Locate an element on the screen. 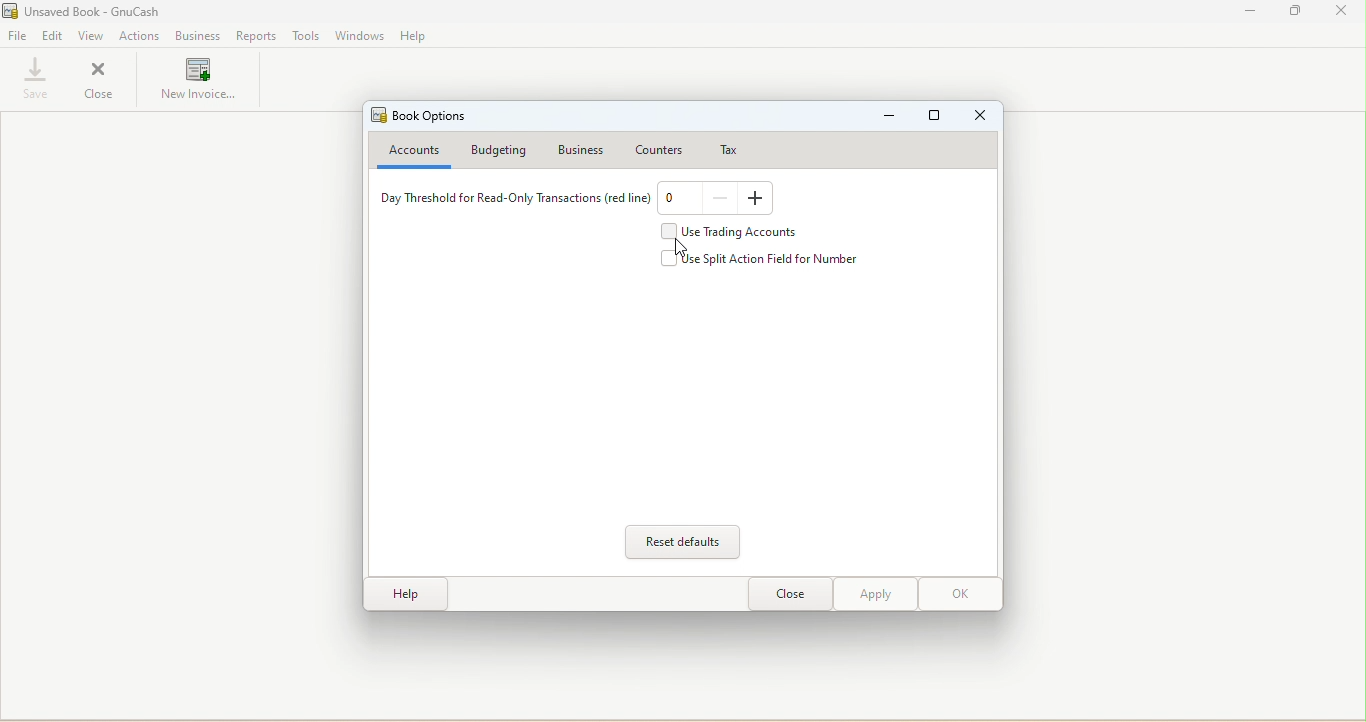 The width and height of the screenshot is (1366, 722). Use trading accounts is located at coordinates (737, 232).